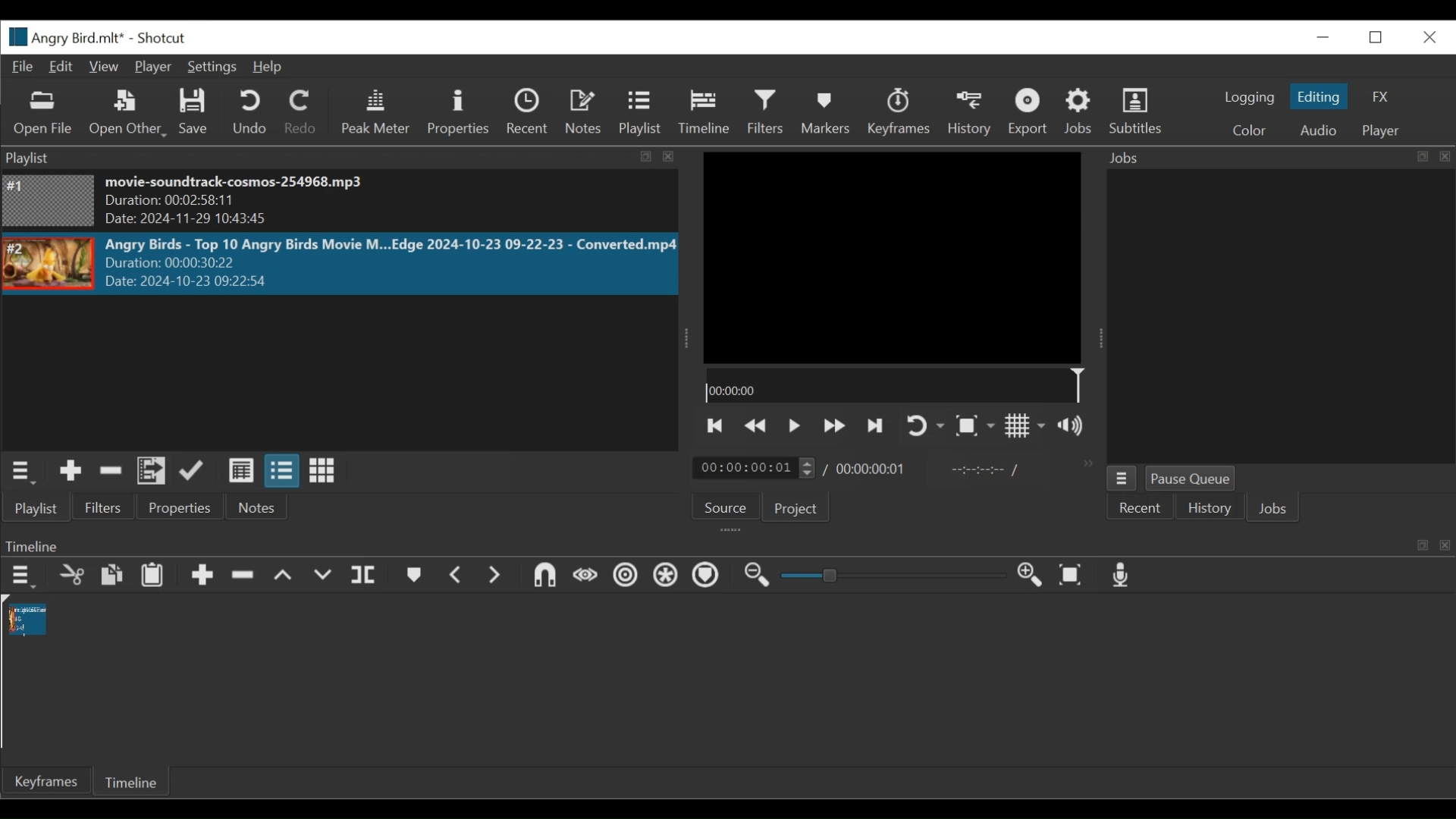  I want to click on Notes, so click(582, 111).